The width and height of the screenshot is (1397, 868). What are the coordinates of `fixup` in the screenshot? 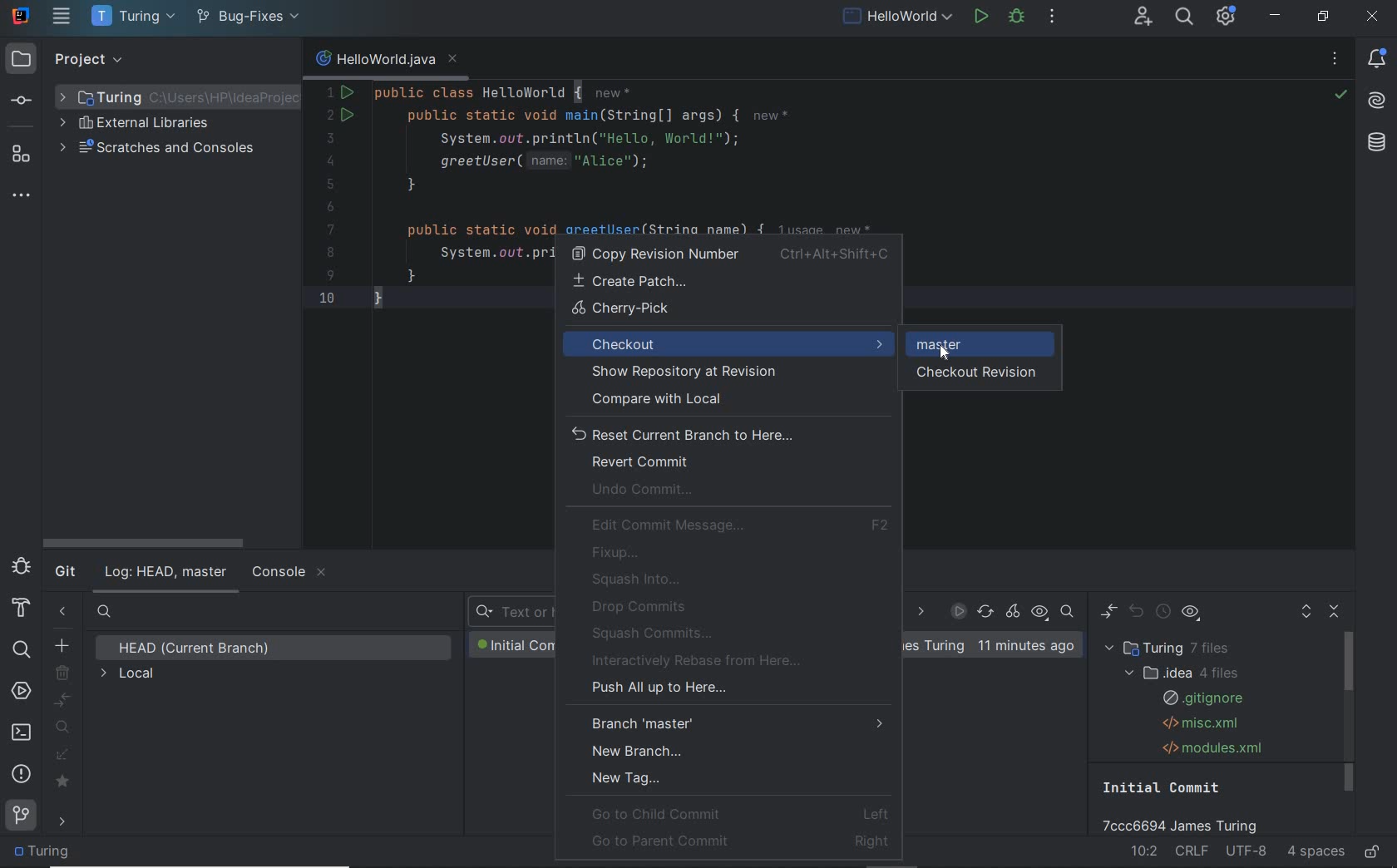 It's located at (619, 553).